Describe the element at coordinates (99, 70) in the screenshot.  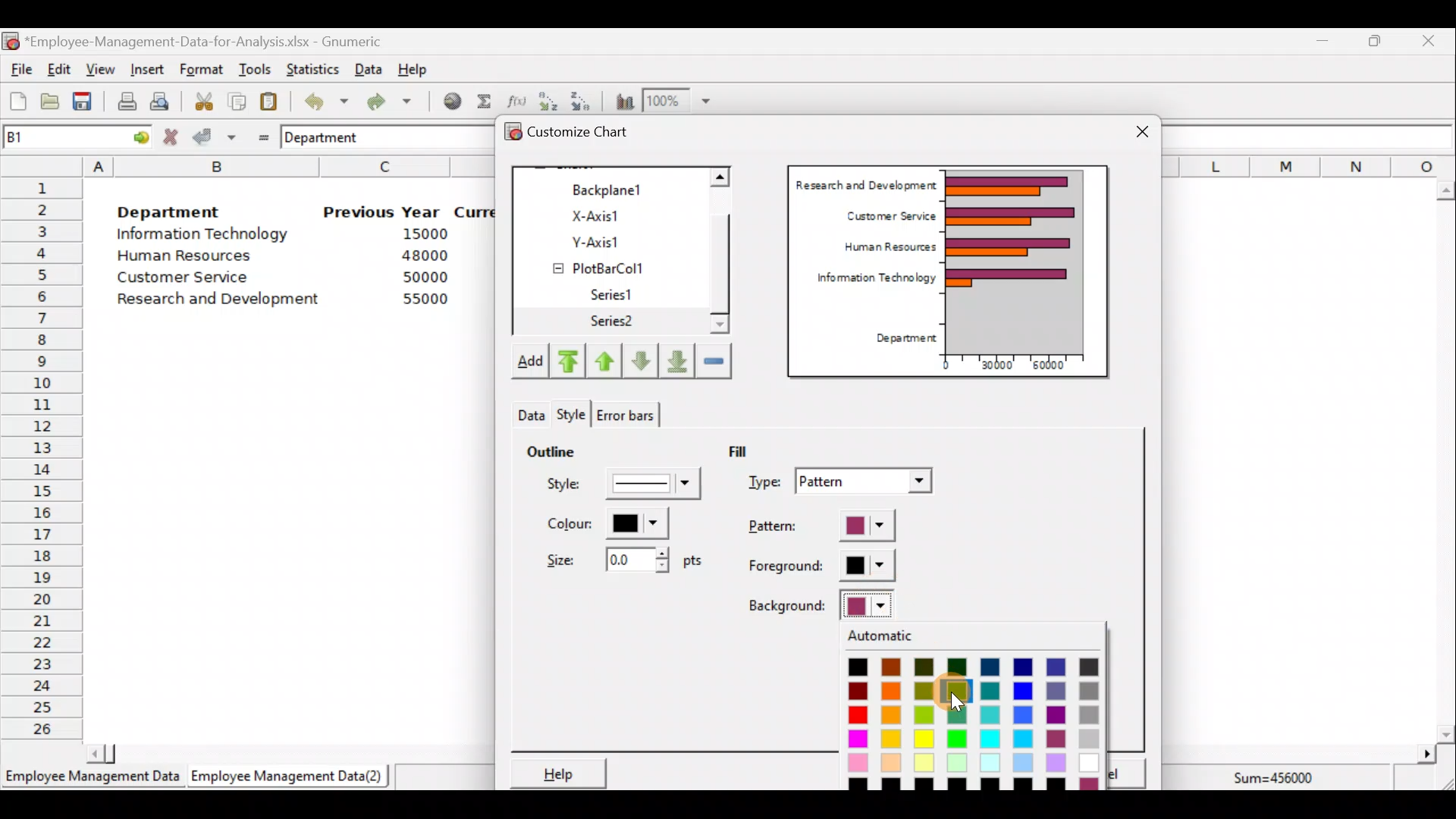
I see `View` at that location.